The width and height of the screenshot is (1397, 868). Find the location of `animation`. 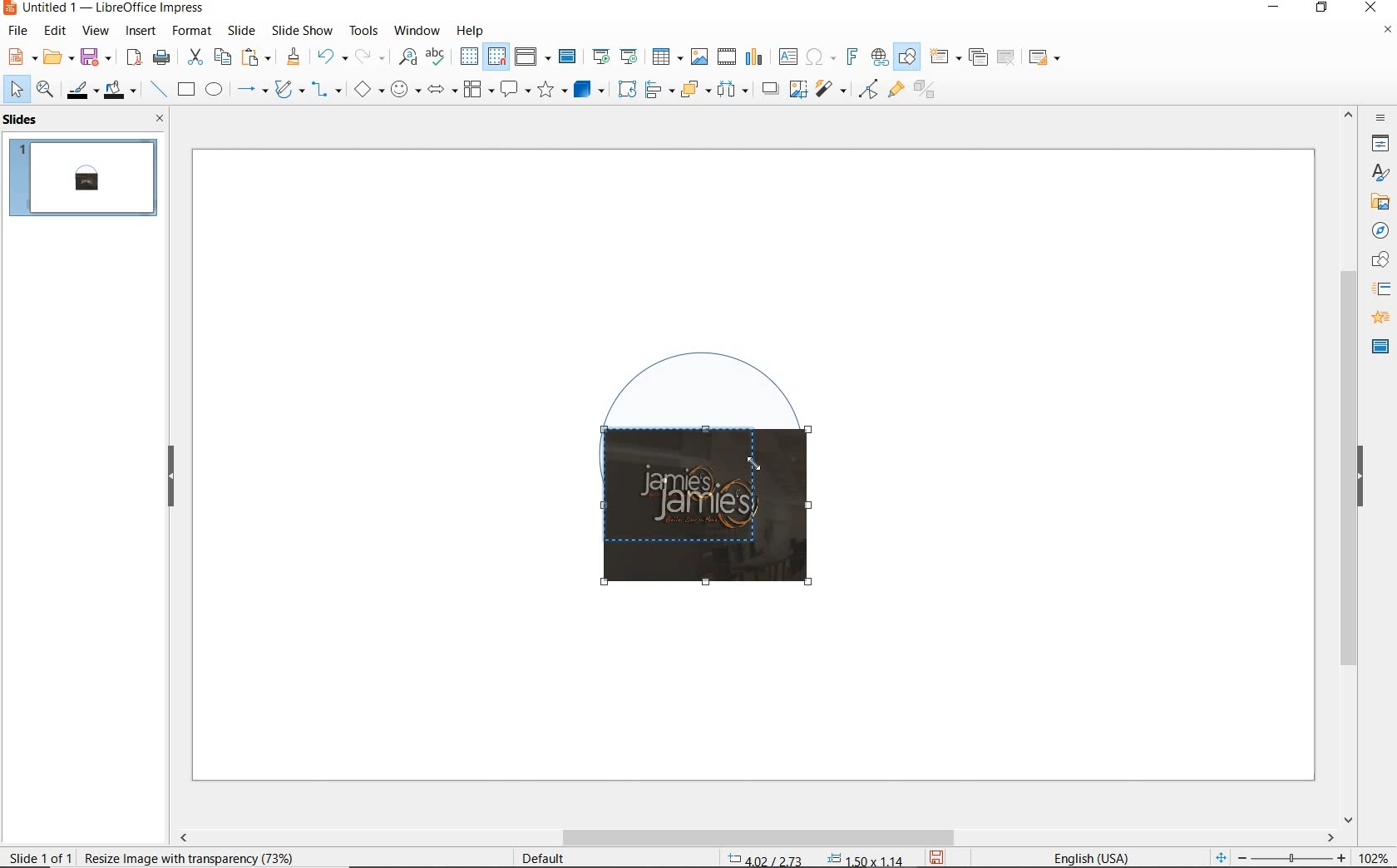

animation is located at coordinates (1378, 318).